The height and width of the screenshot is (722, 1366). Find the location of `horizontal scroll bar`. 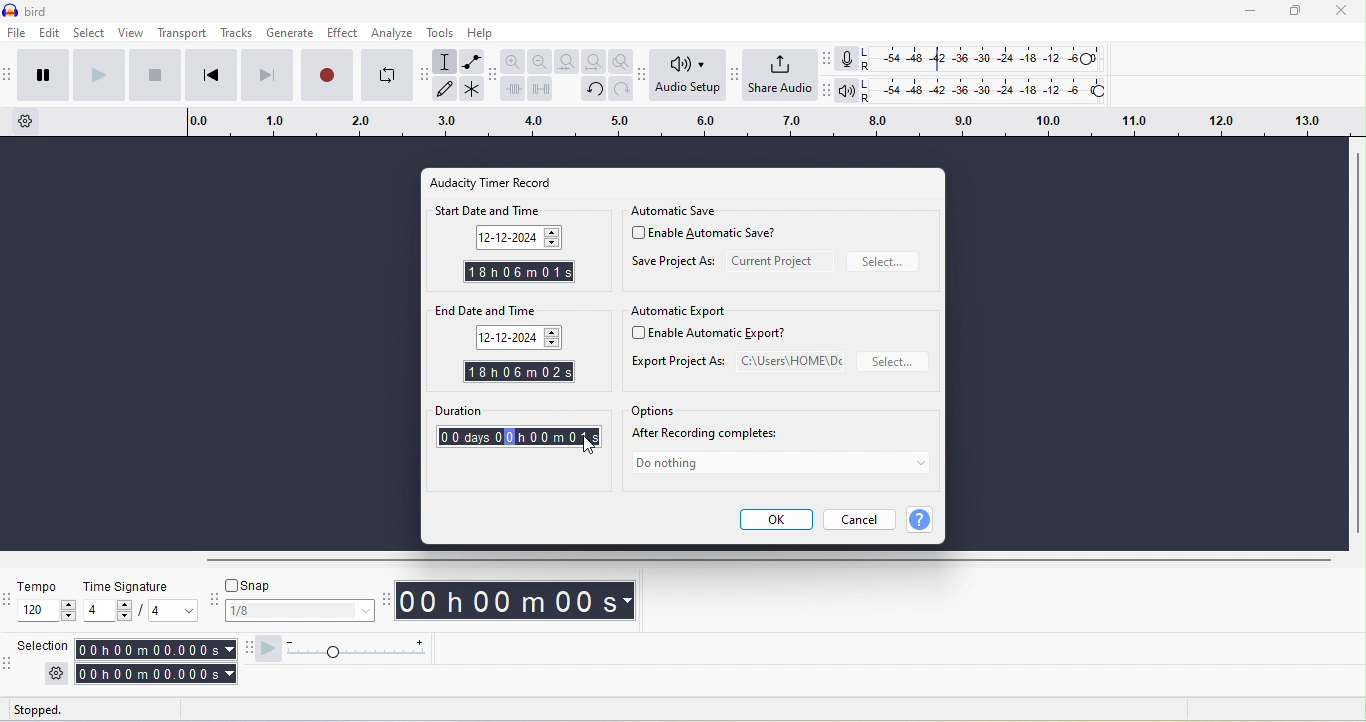

horizontal scroll bar is located at coordinates (765, 562).